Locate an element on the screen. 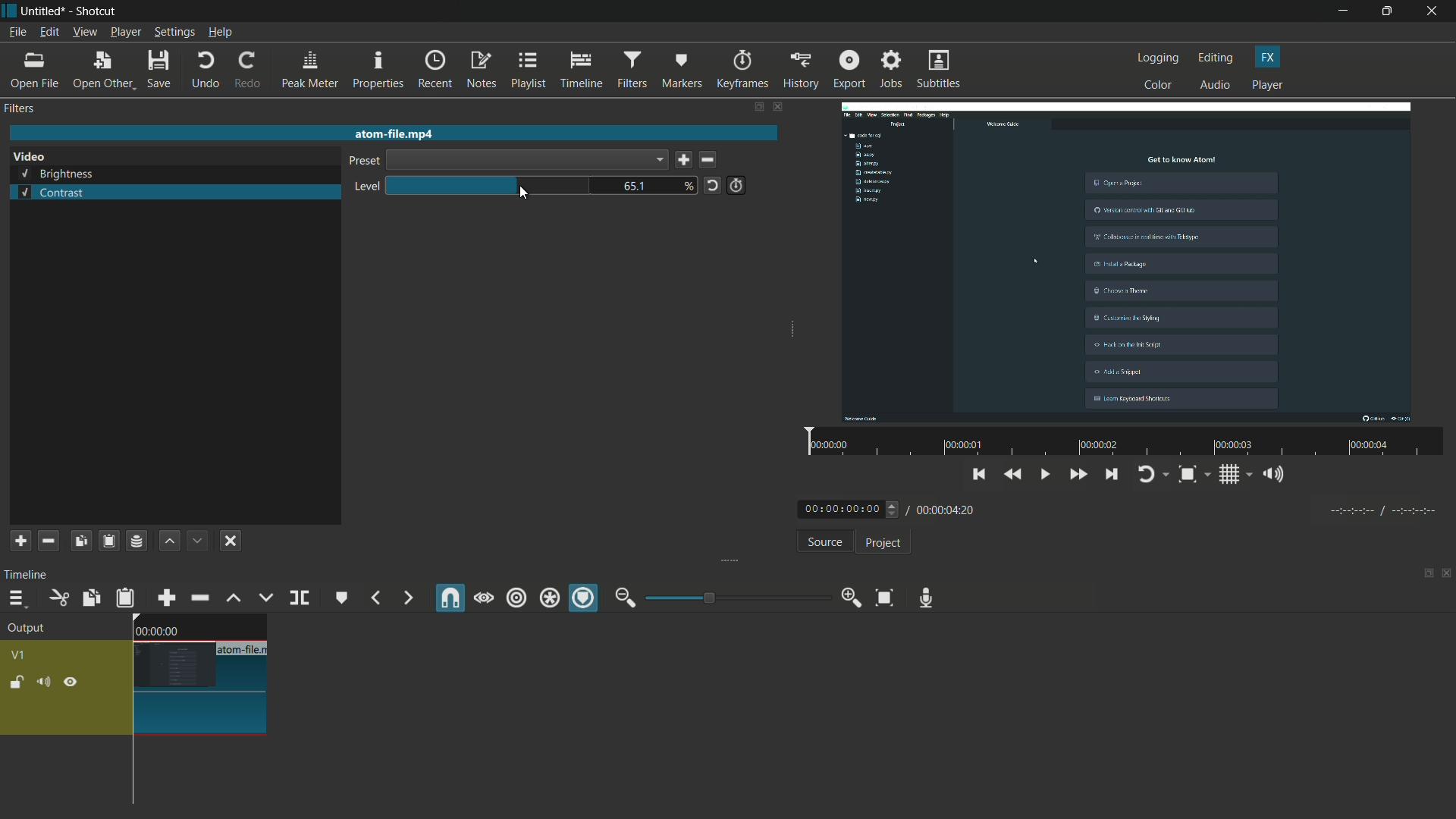  cursor is located at coordinates (524, 194).